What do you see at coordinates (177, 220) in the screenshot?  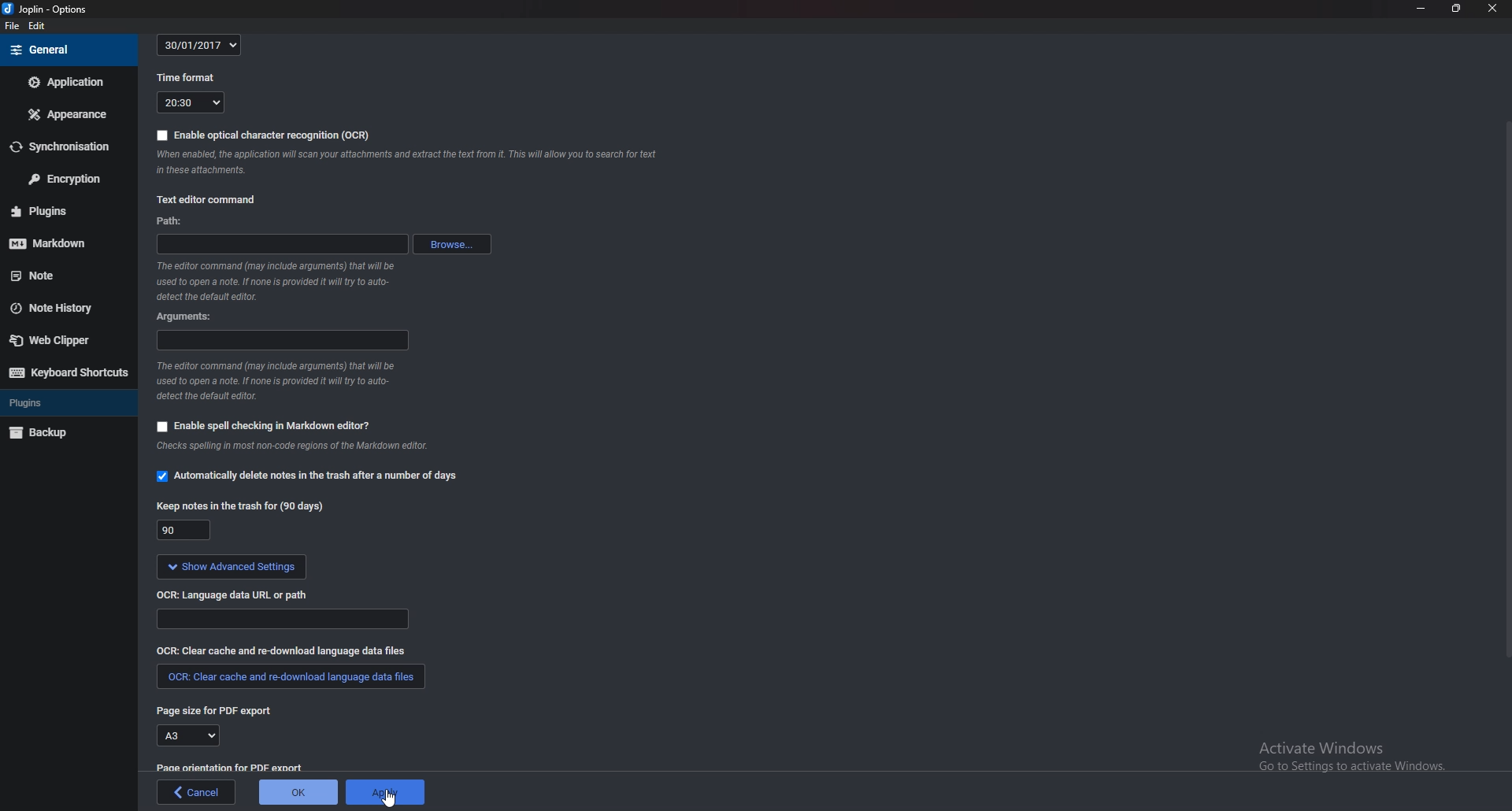 I see `path` at bounding box center [177, 220].